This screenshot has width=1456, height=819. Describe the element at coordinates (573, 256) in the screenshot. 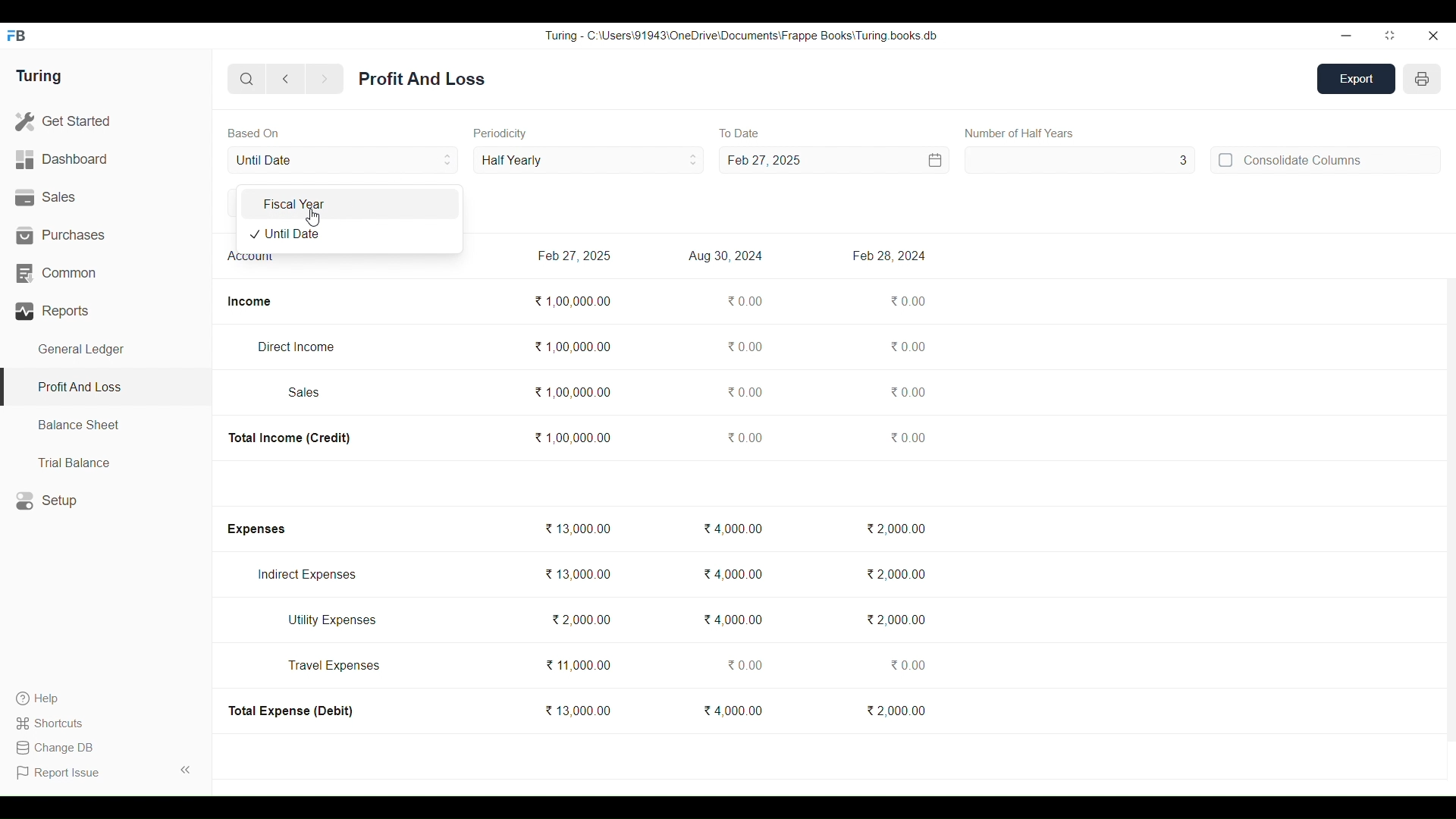

I see `Feb 27, 2025` at that location.